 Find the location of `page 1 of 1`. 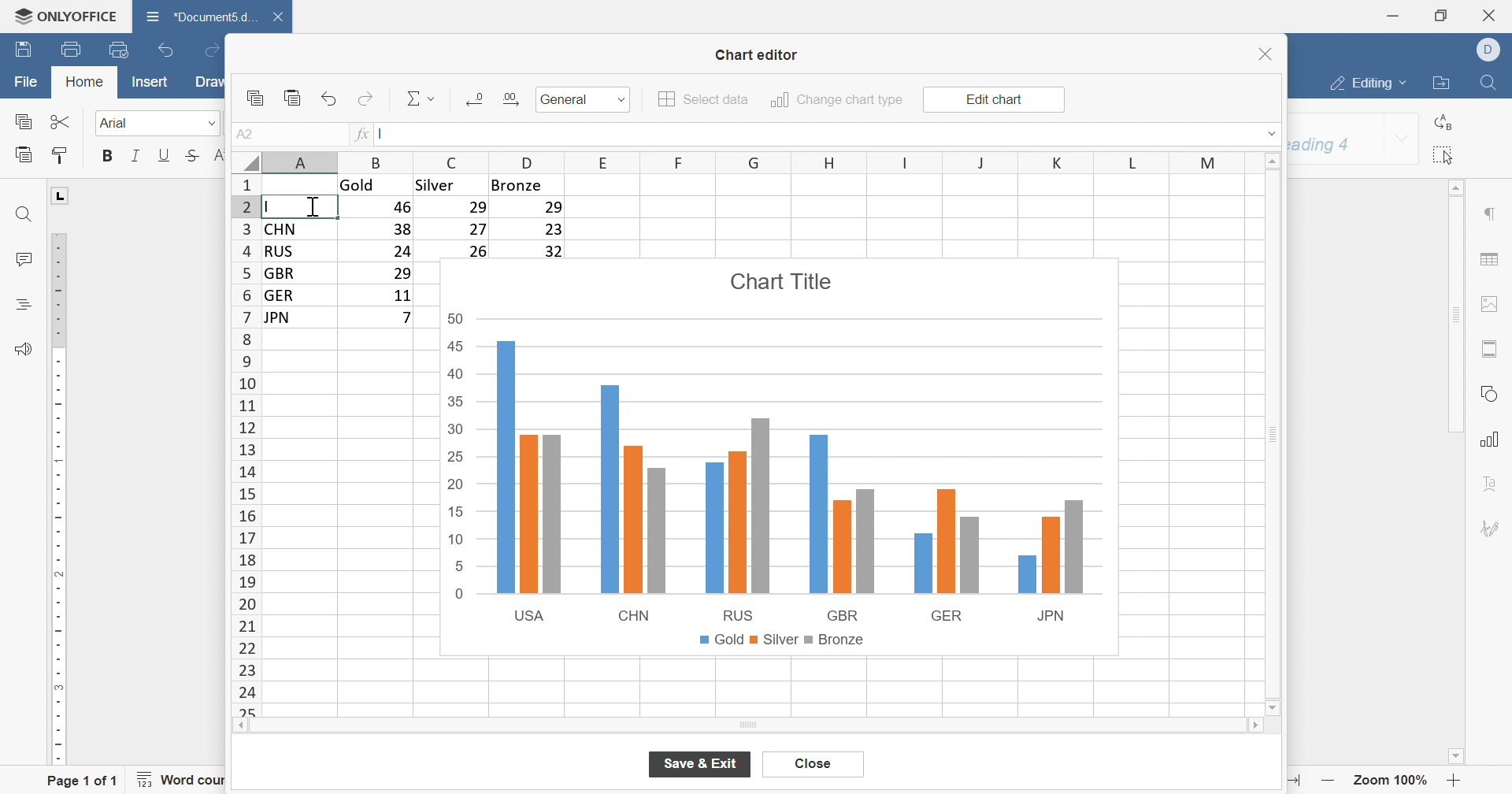

page 1 of 1 is located at coordinates (83, 783).